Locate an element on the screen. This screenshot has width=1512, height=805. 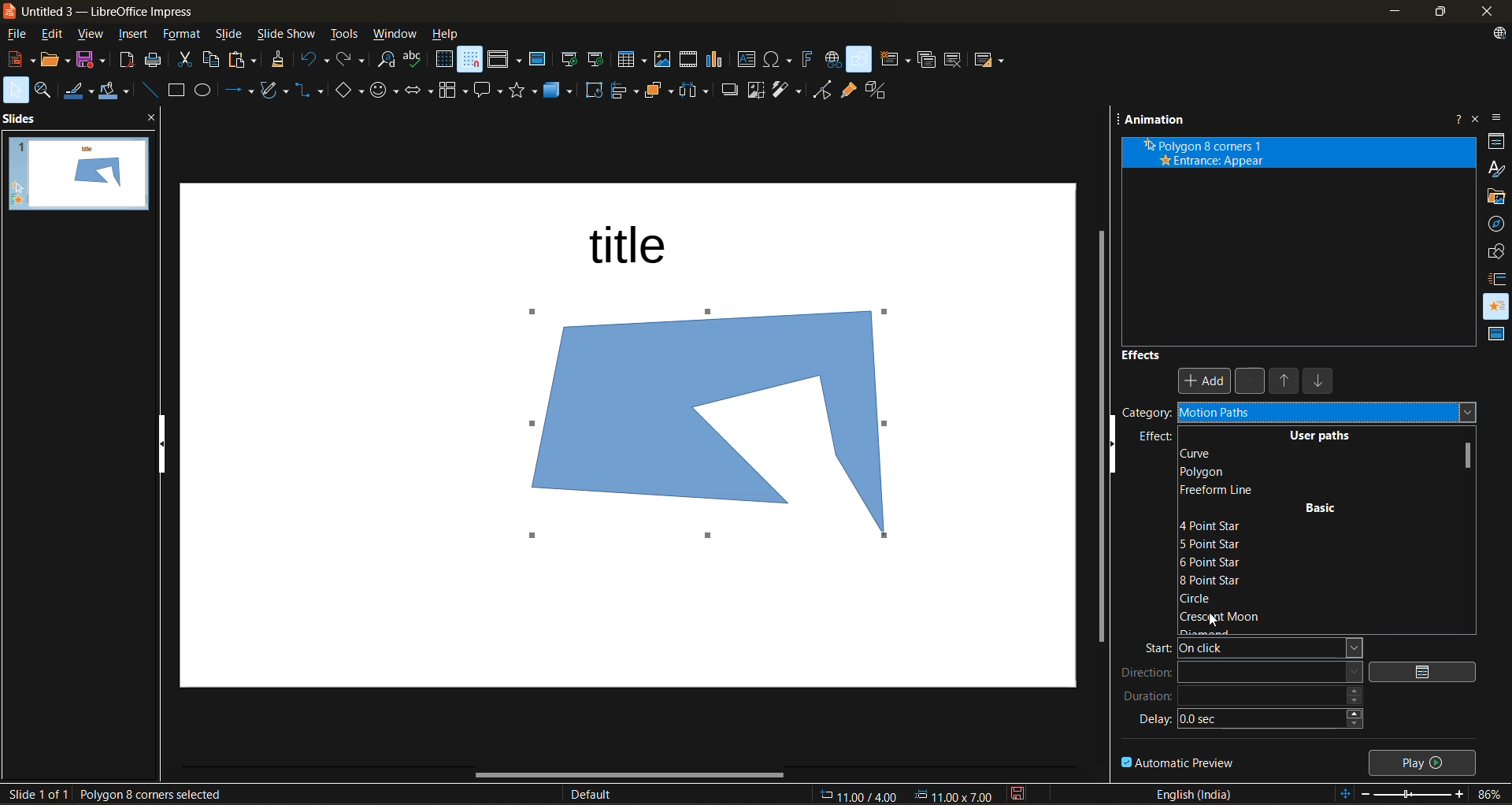
insert is located at coordinates (132, 35).